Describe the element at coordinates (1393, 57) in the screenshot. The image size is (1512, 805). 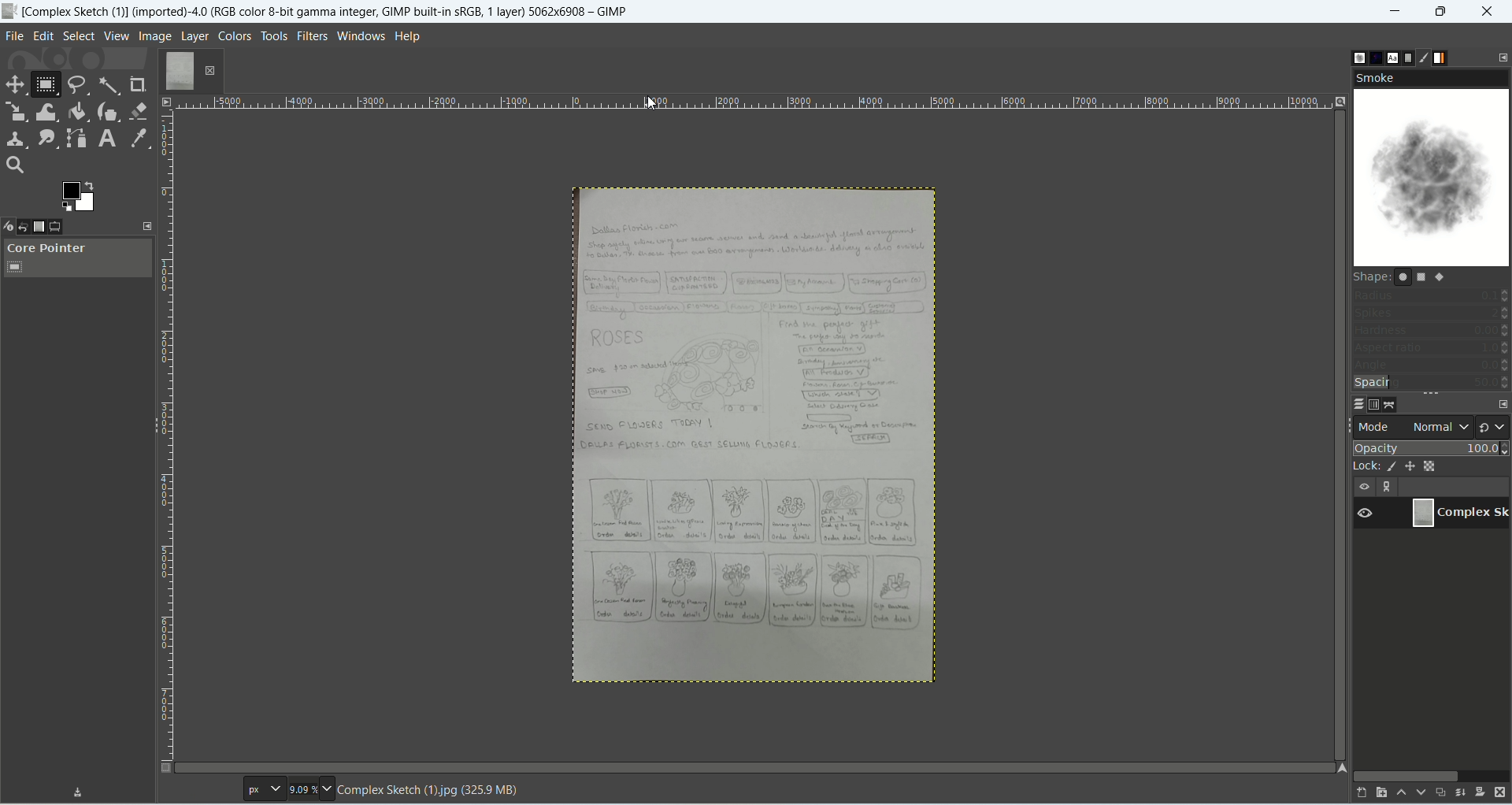
I see `fonts` at that location.